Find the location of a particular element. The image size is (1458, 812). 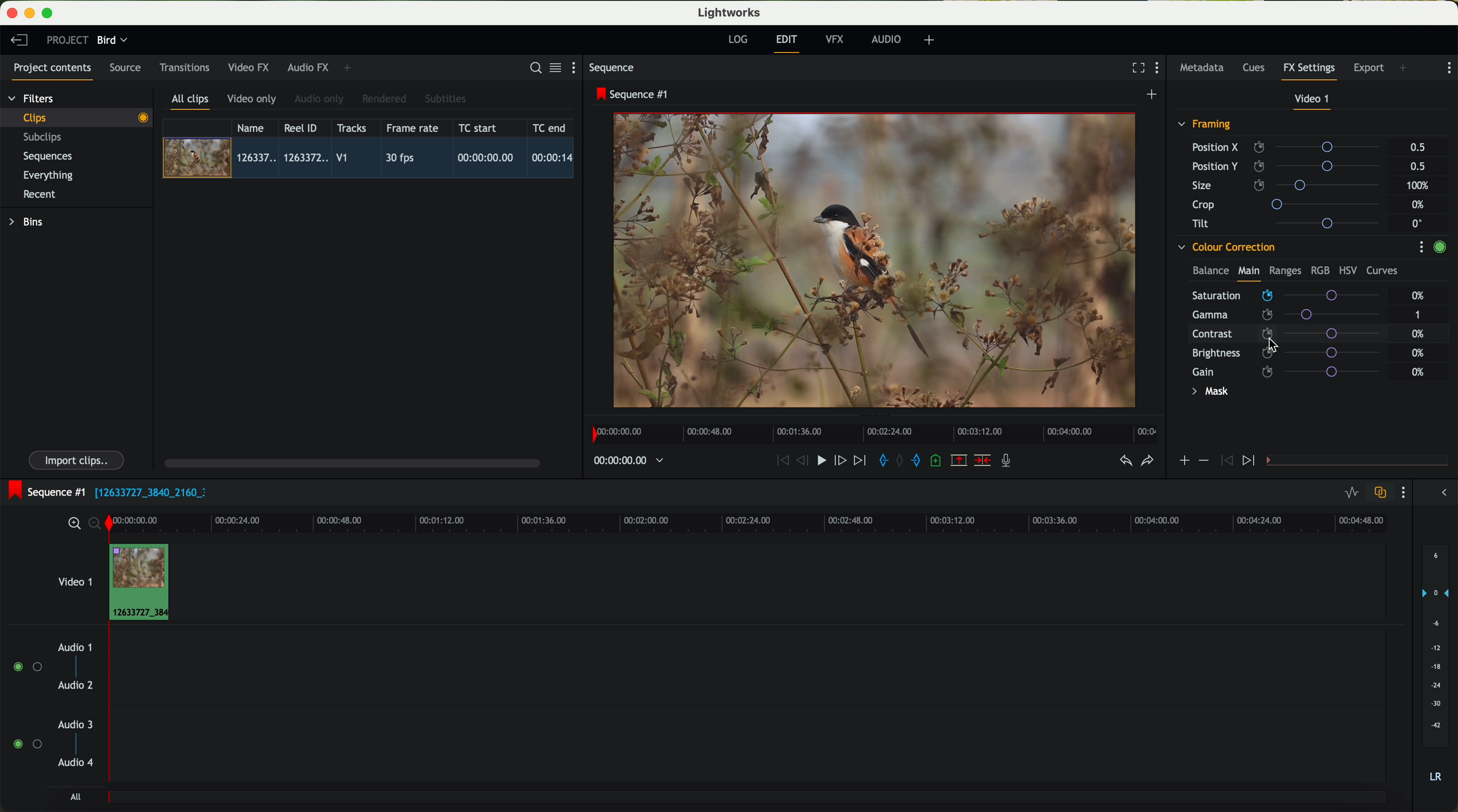

sequence #1 is located at coordinates (633, 94).